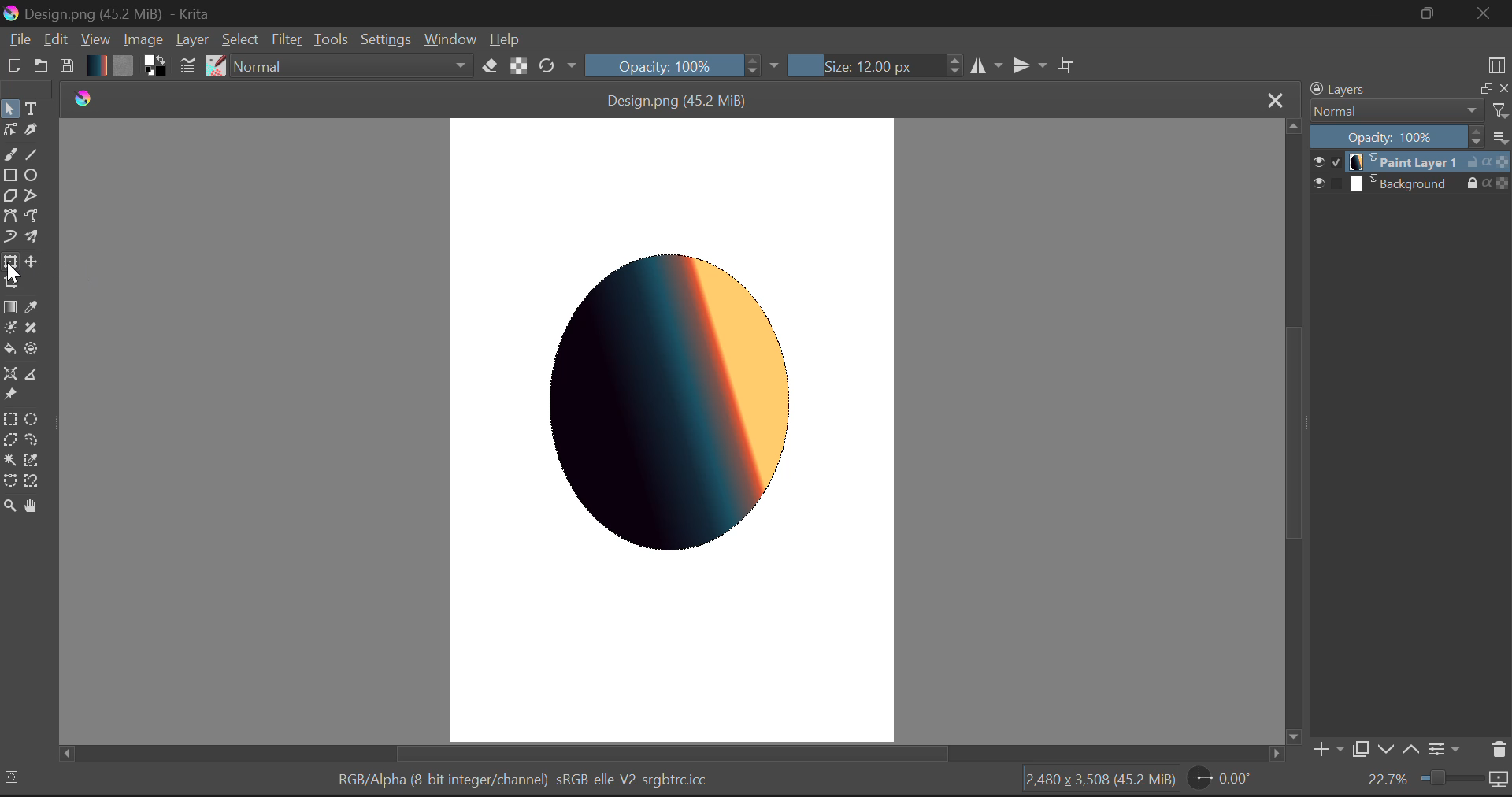 Image resolution: width=1512 pixels, height=797 pixels. What do you see at coordinates (9, 198) in the screenshot?
I see `Polygon` at bounding box center [9, 198].